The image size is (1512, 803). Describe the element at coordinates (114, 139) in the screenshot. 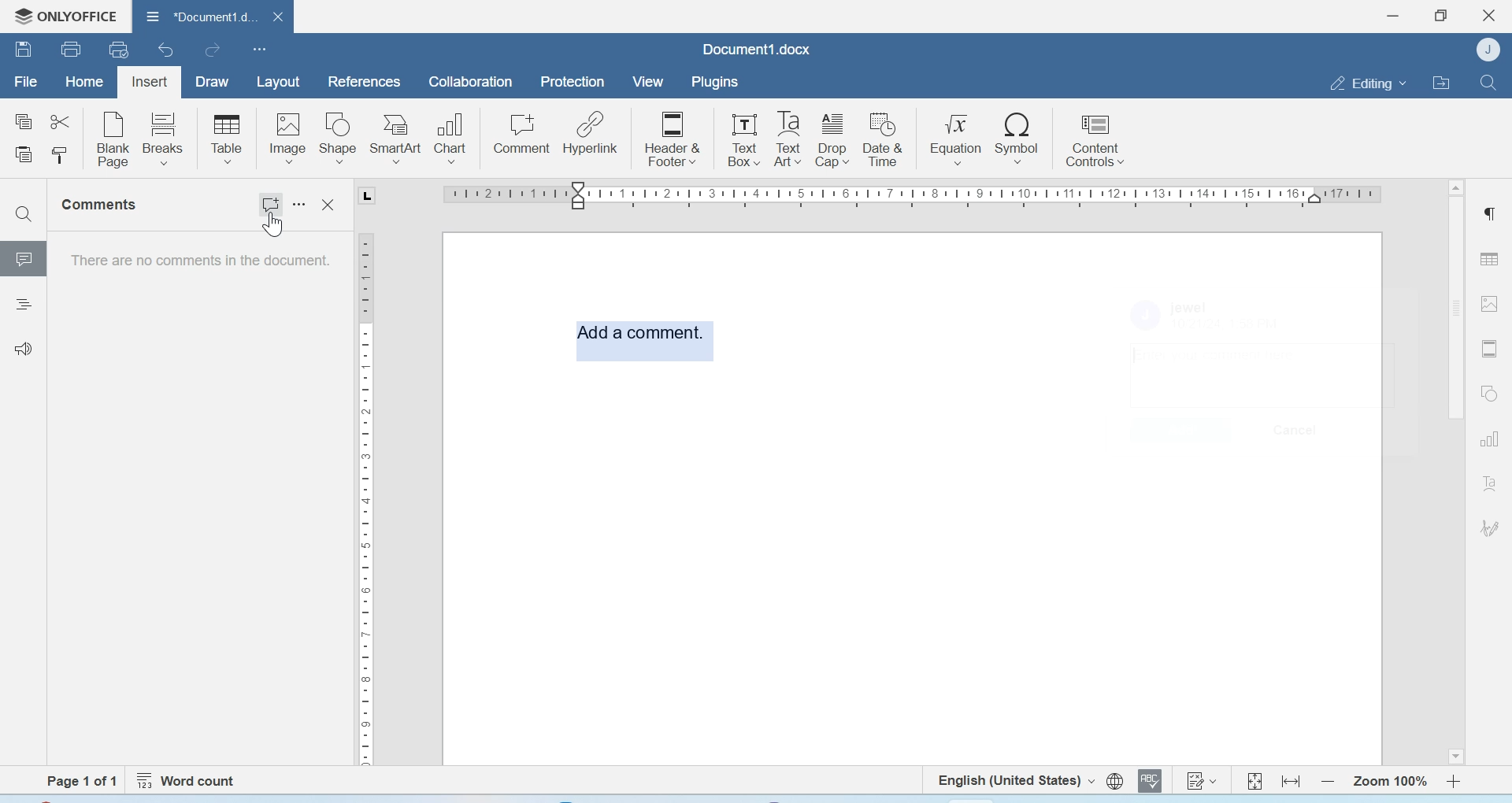

I see `Blank page` at that location.